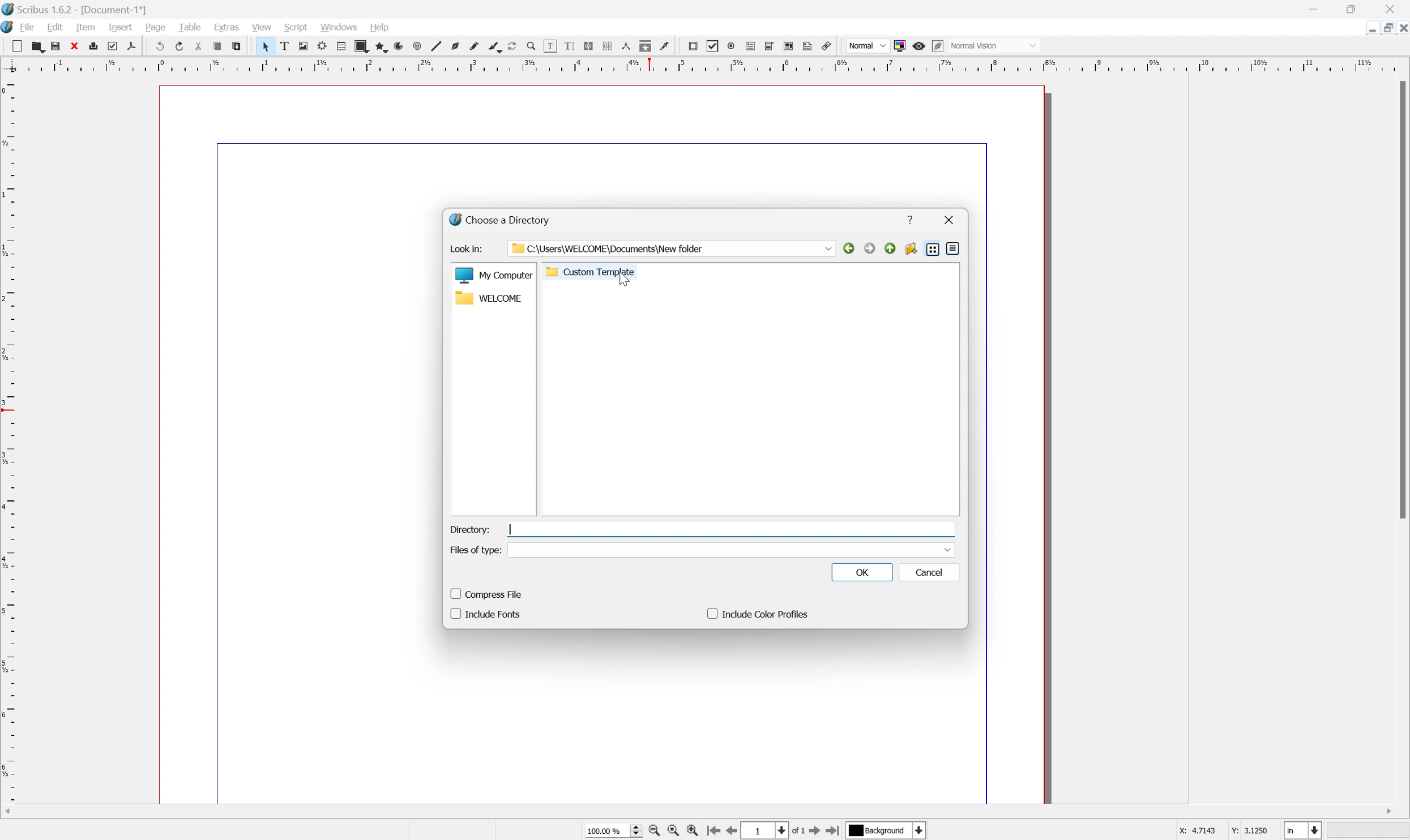 This screenshot has height=840, width=1410. What do you see at coordinates (10, 439) in the screenshot?
I see `Scale` at bounding box center [10, 439].